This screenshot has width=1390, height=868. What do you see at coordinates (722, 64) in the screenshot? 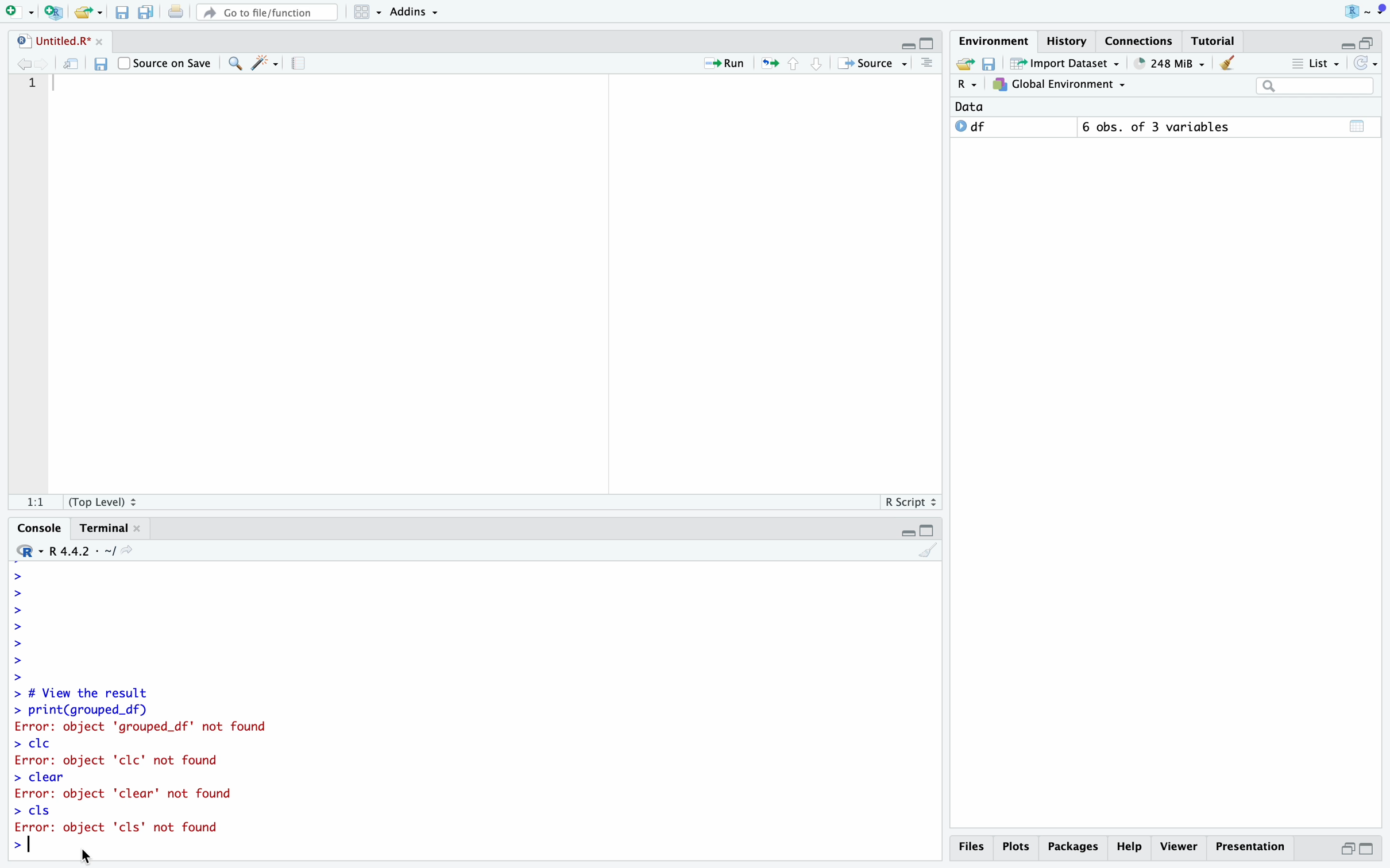
I see `Run current line` at bounding box center [722, 64].